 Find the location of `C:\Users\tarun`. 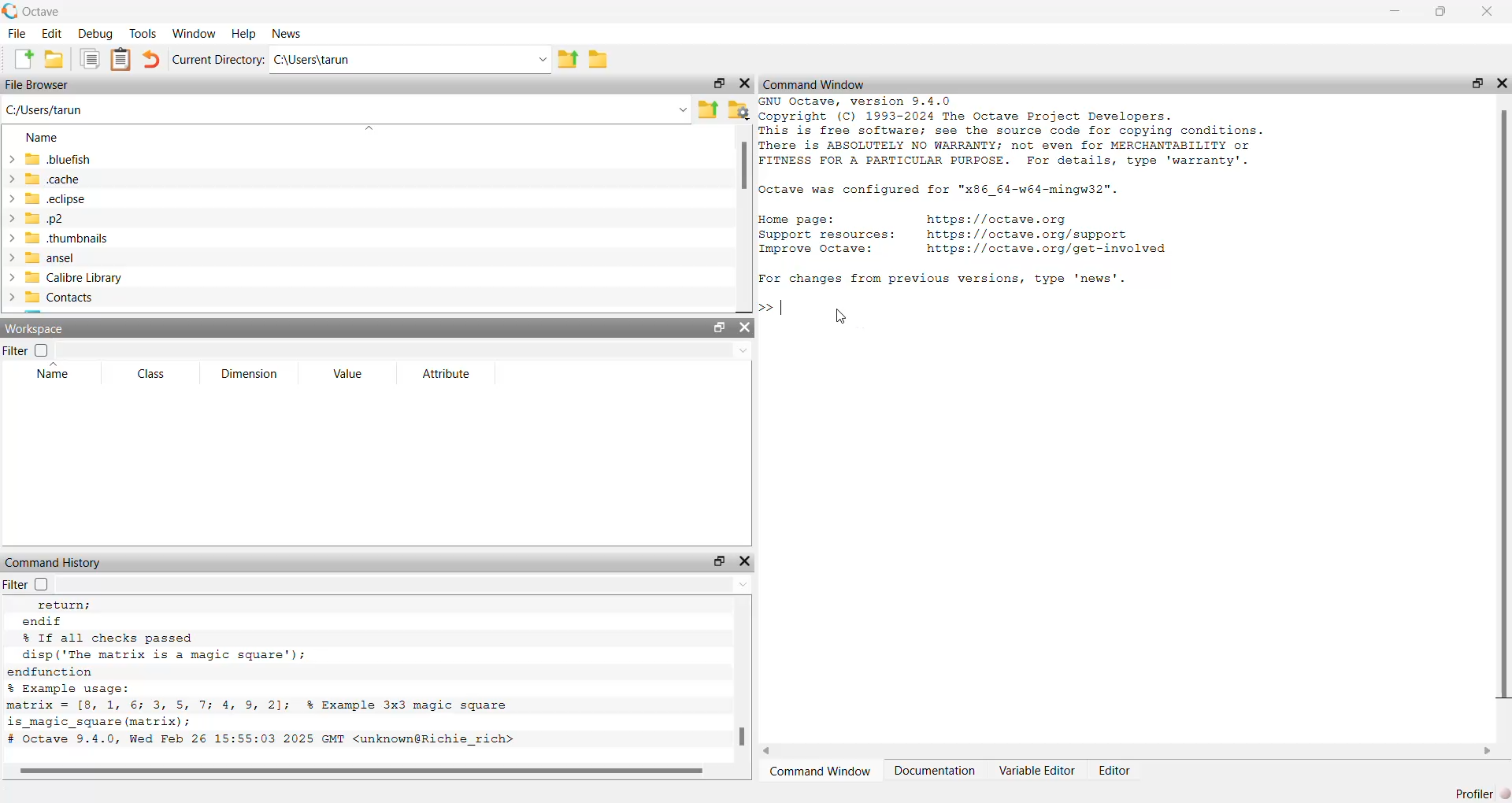

C:\Users\tarun is located at coordinates (46, 109).